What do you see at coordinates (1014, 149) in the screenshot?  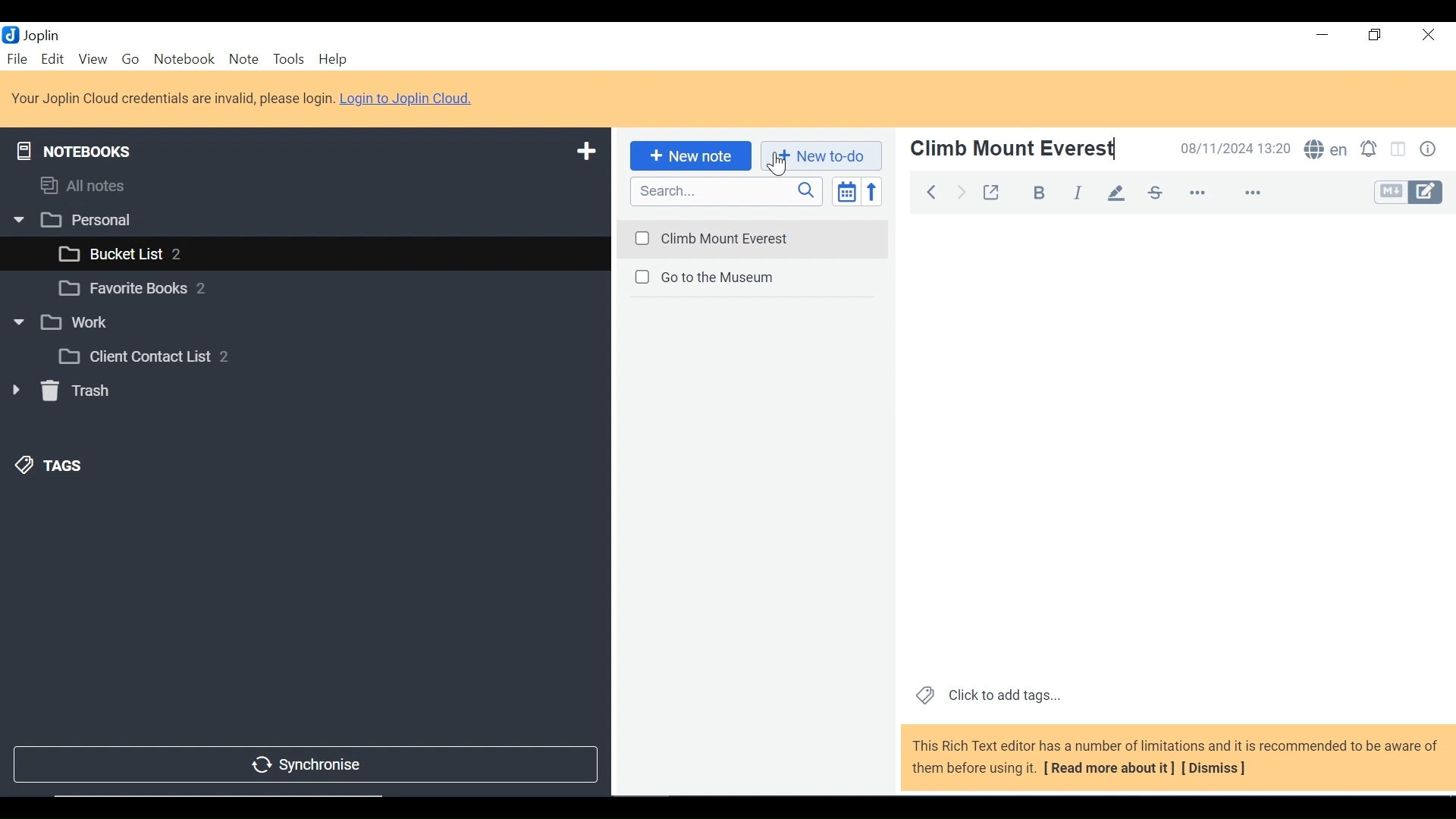 I see `Note Name` at bounding box center [1014, 149].